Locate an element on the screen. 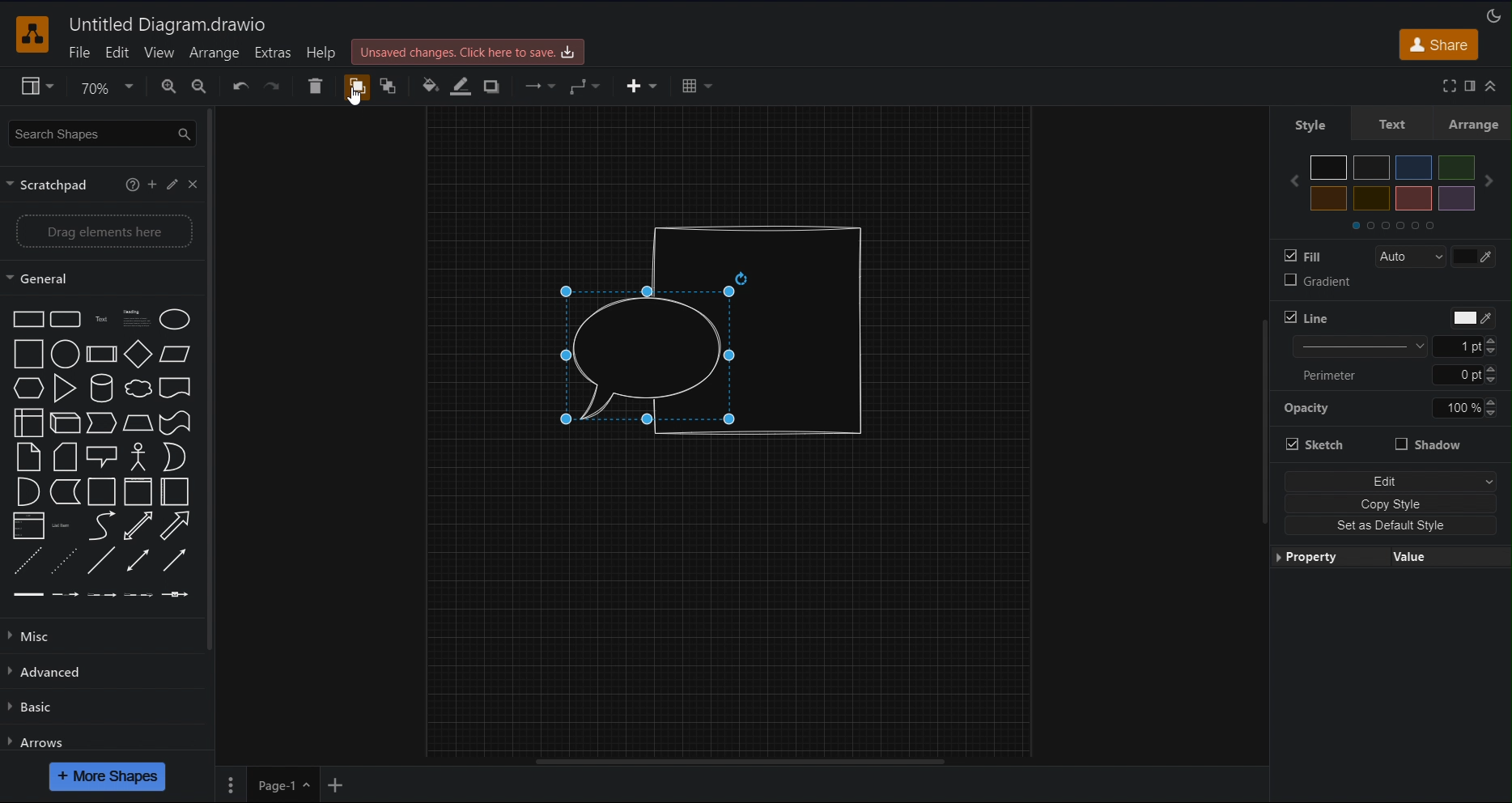 This screenshot has height=803, width=1512. Increase/Decrease line thickness is located at coordinates (1491, 407).